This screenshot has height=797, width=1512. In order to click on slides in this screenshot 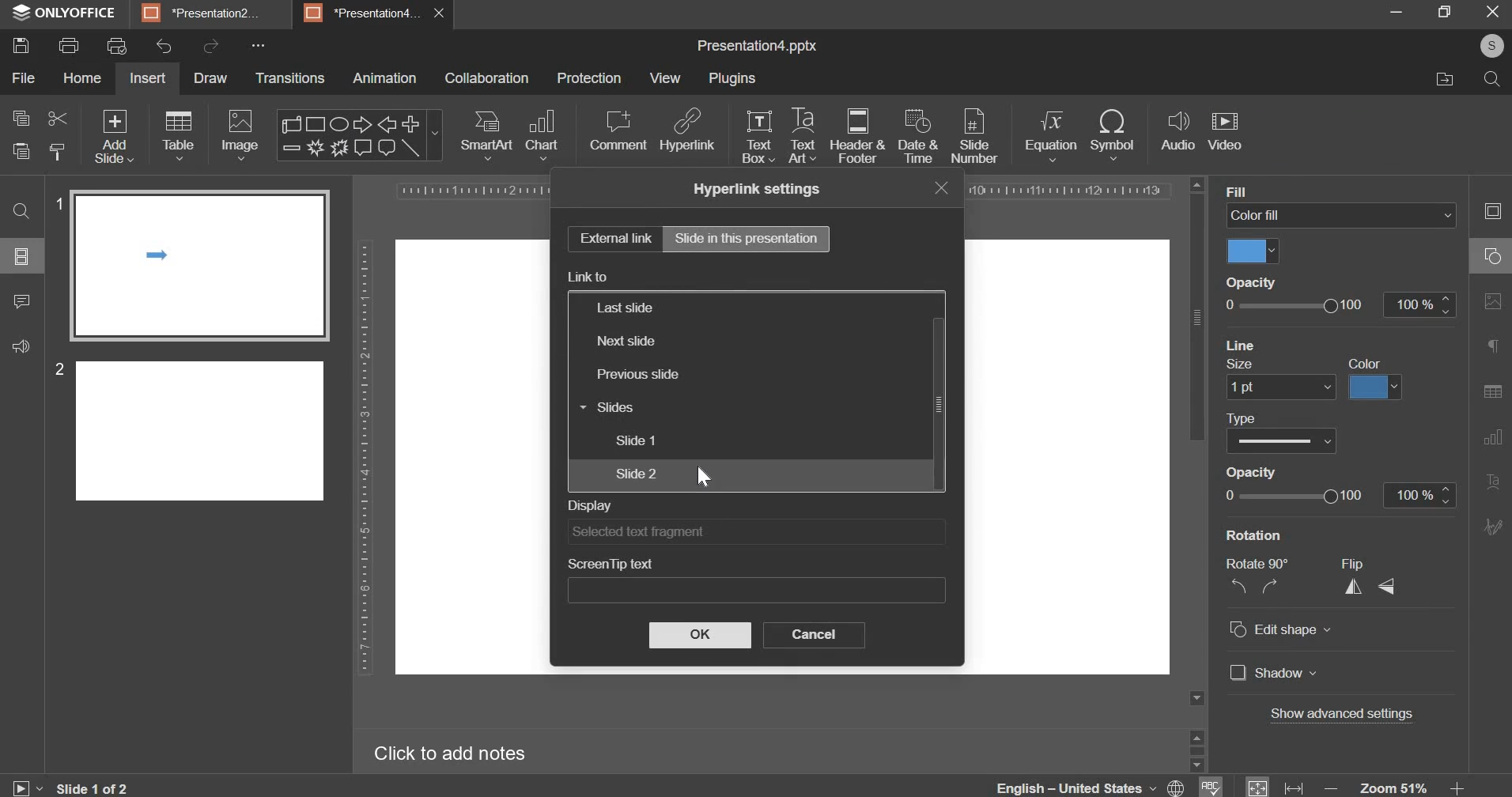, I will do `click(606, 406)`.